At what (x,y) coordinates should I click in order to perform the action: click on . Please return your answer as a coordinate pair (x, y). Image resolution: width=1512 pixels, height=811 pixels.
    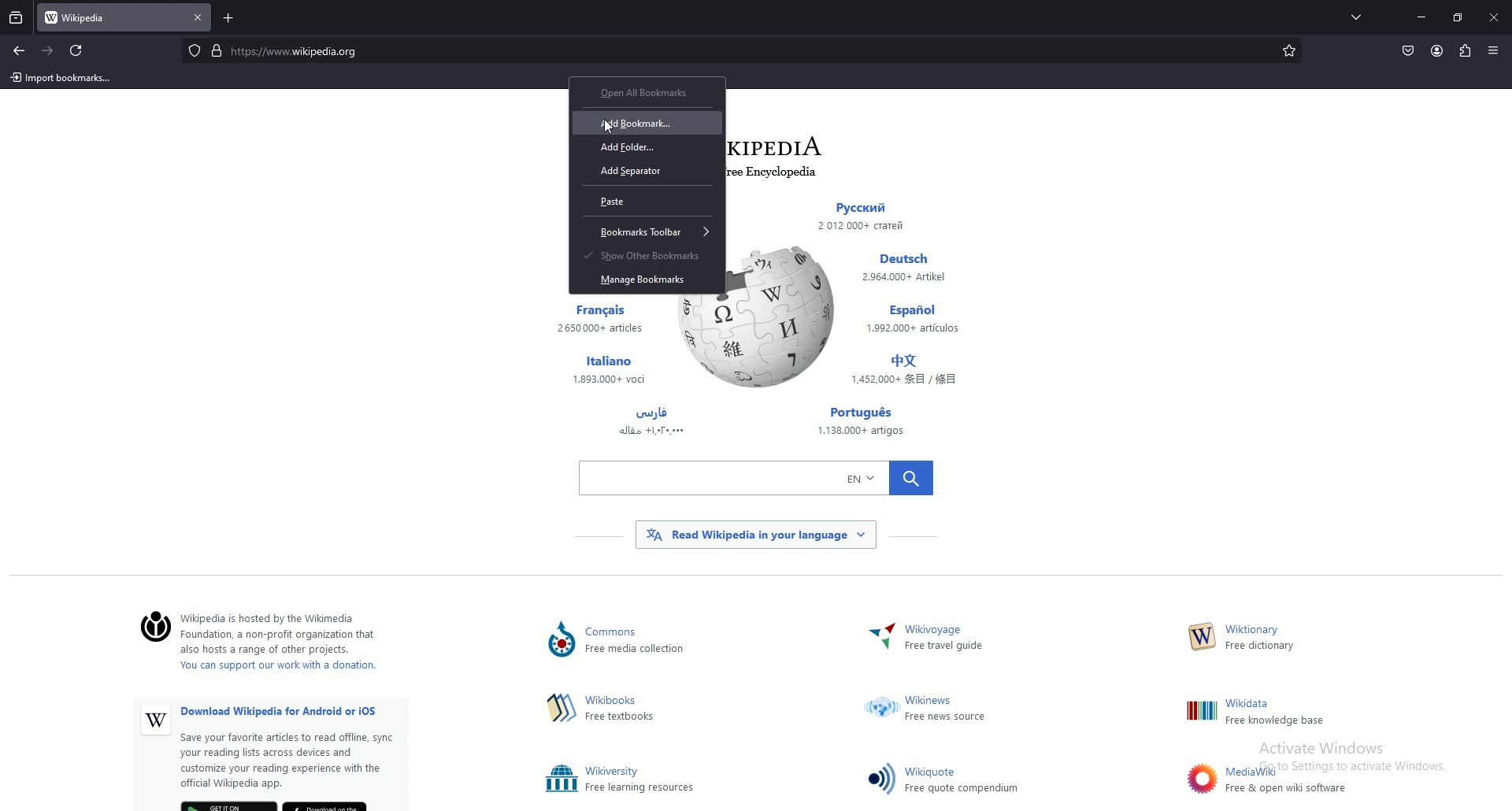
    Looking at the image, I should click on (1203, 637).